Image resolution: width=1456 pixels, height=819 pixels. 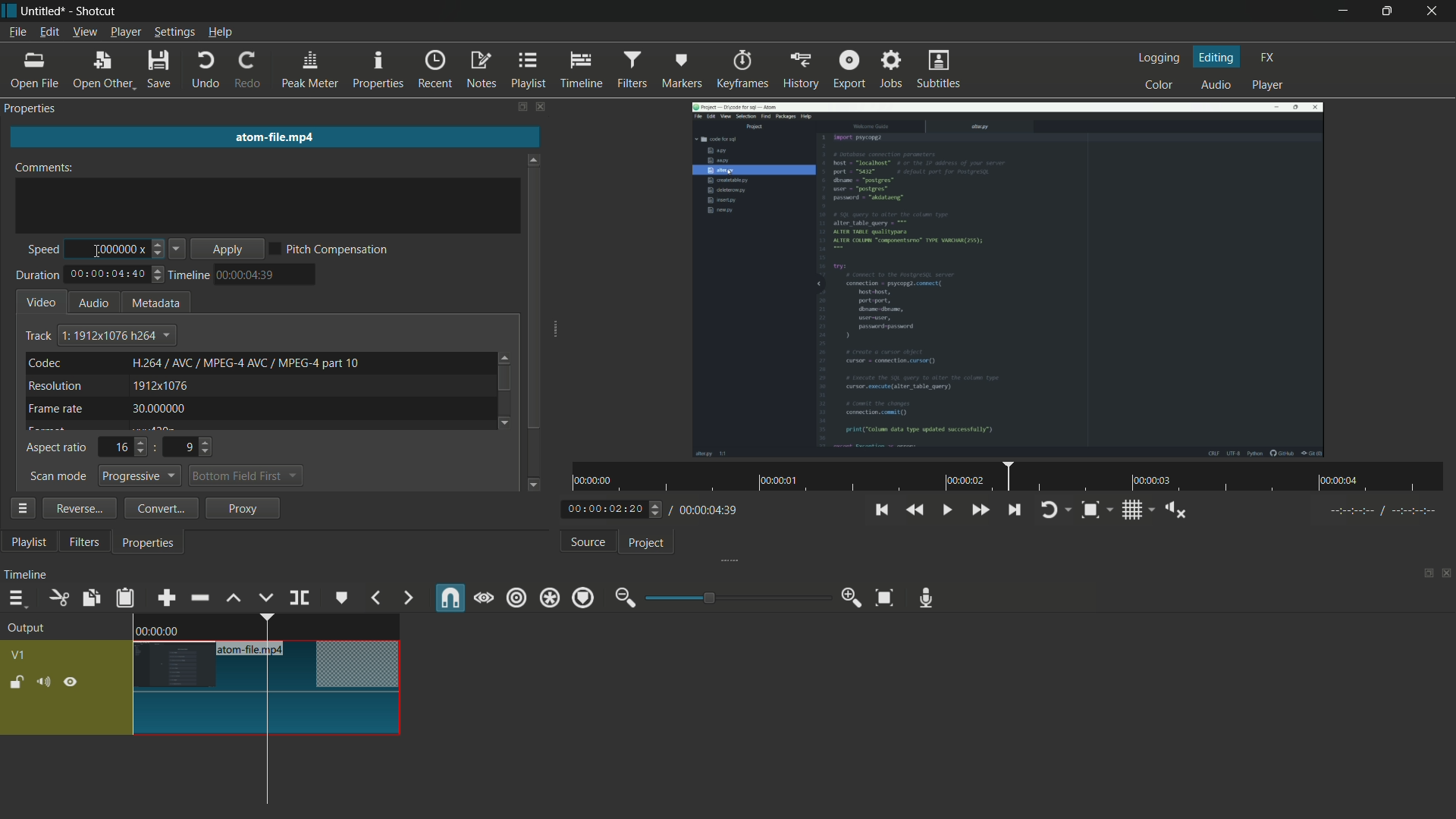 What do you see at coordinates (153, 303) in the screenshot?
I see `metadata` at bounding box center [153, 303].